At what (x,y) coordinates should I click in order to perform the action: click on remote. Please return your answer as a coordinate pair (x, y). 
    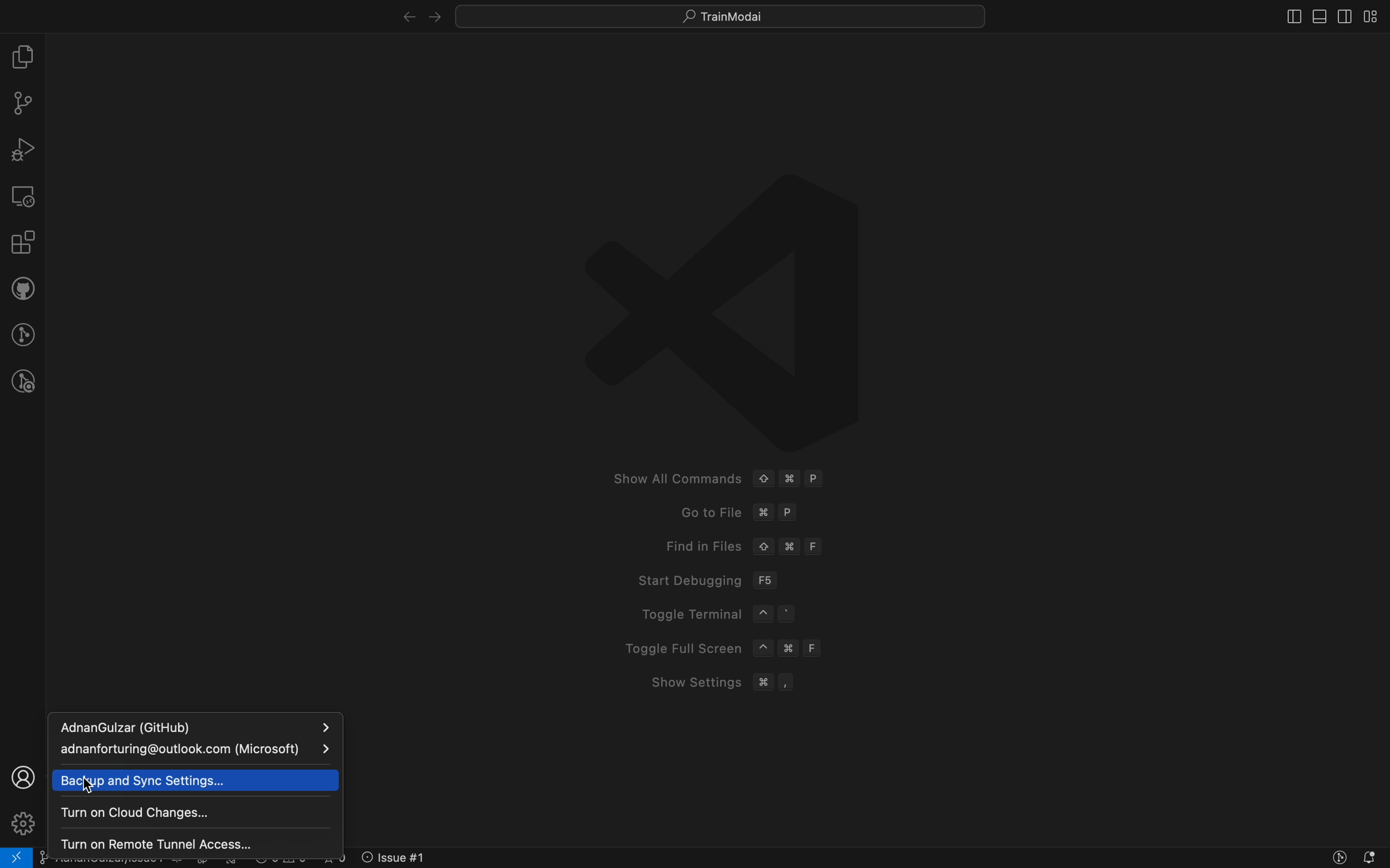
    Looking at the image, I should click on (24, 196).